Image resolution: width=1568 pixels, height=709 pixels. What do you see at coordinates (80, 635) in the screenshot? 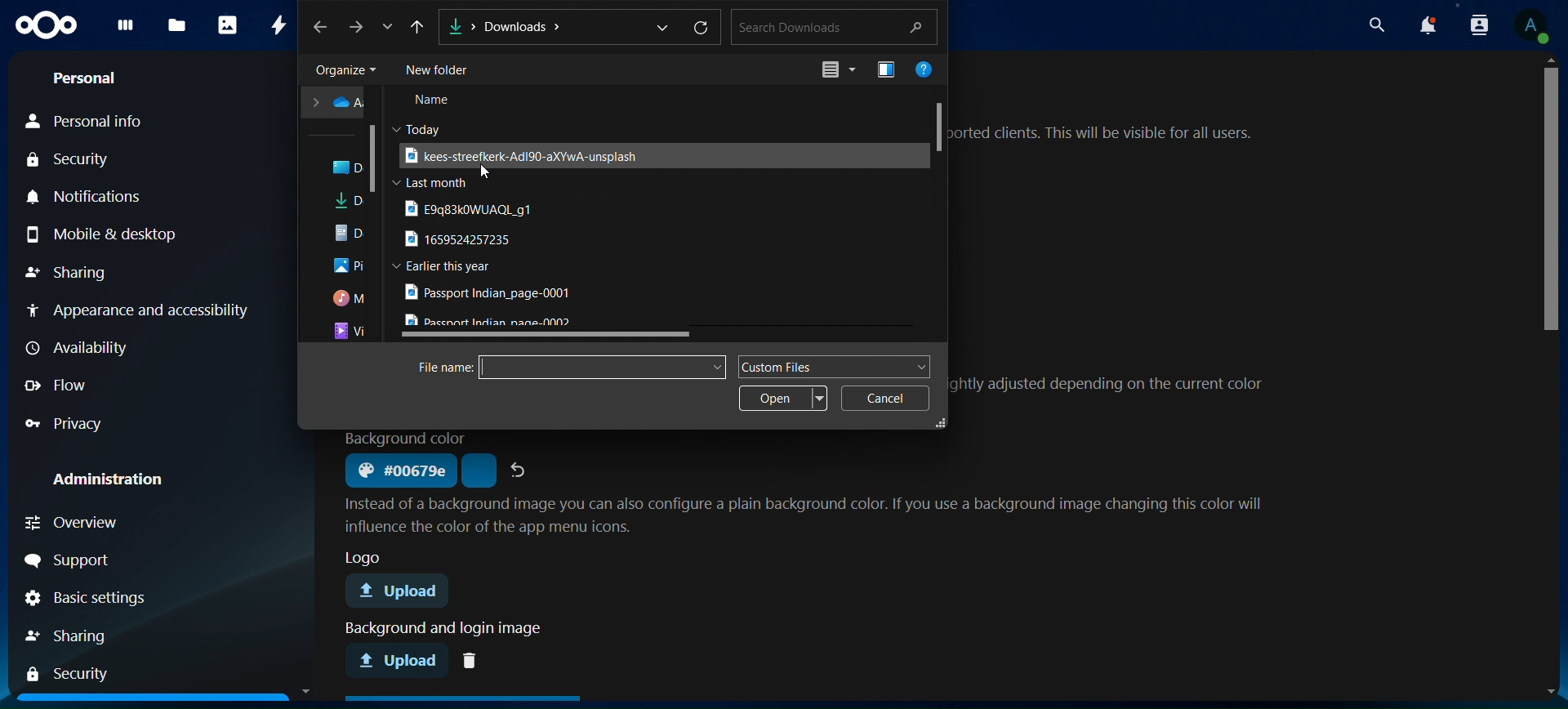
I see `sharing` at bounding box center [80, 635].